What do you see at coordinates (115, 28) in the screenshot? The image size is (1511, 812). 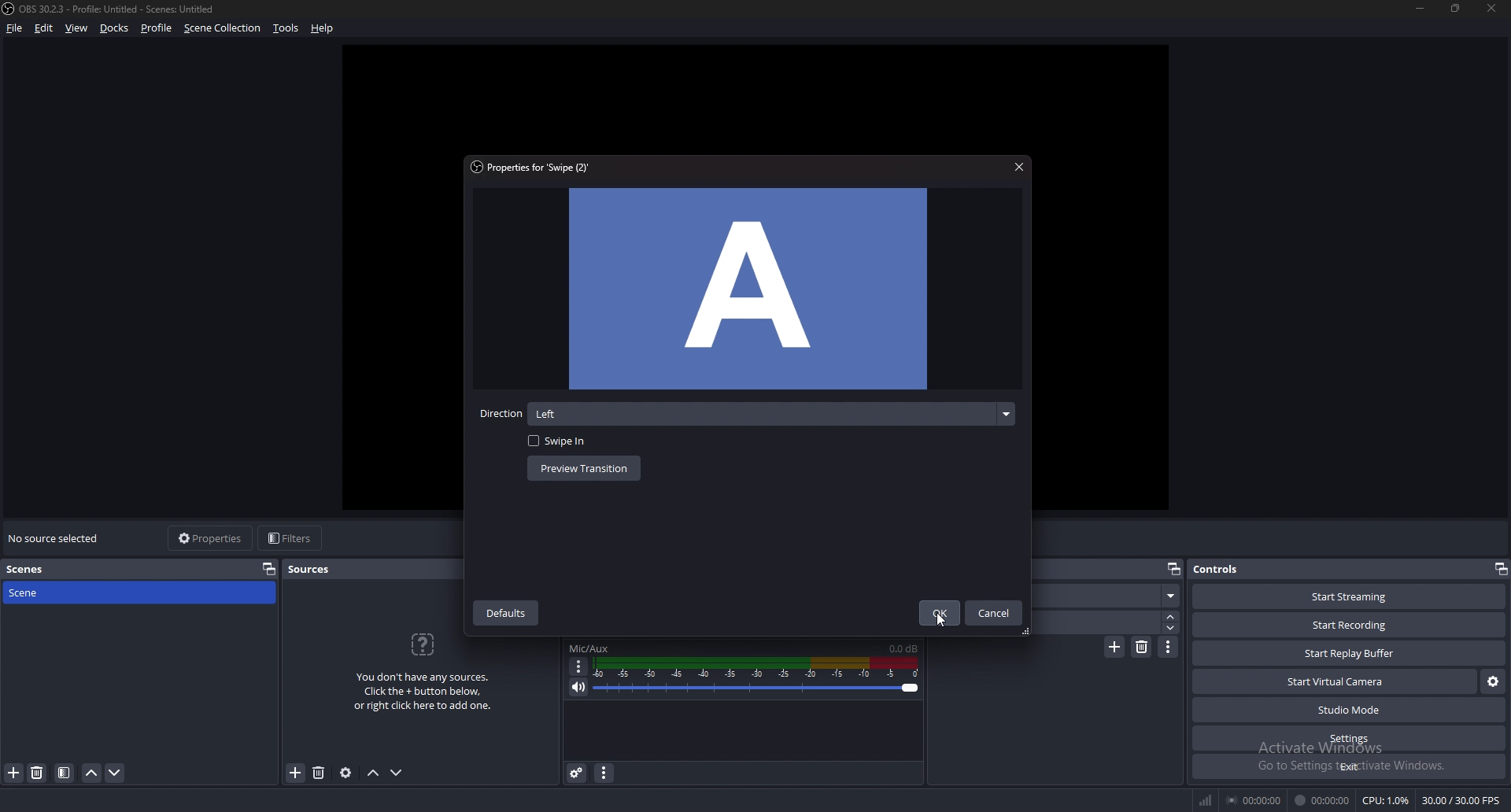 I see `docks` at bounding box center [115, 28].